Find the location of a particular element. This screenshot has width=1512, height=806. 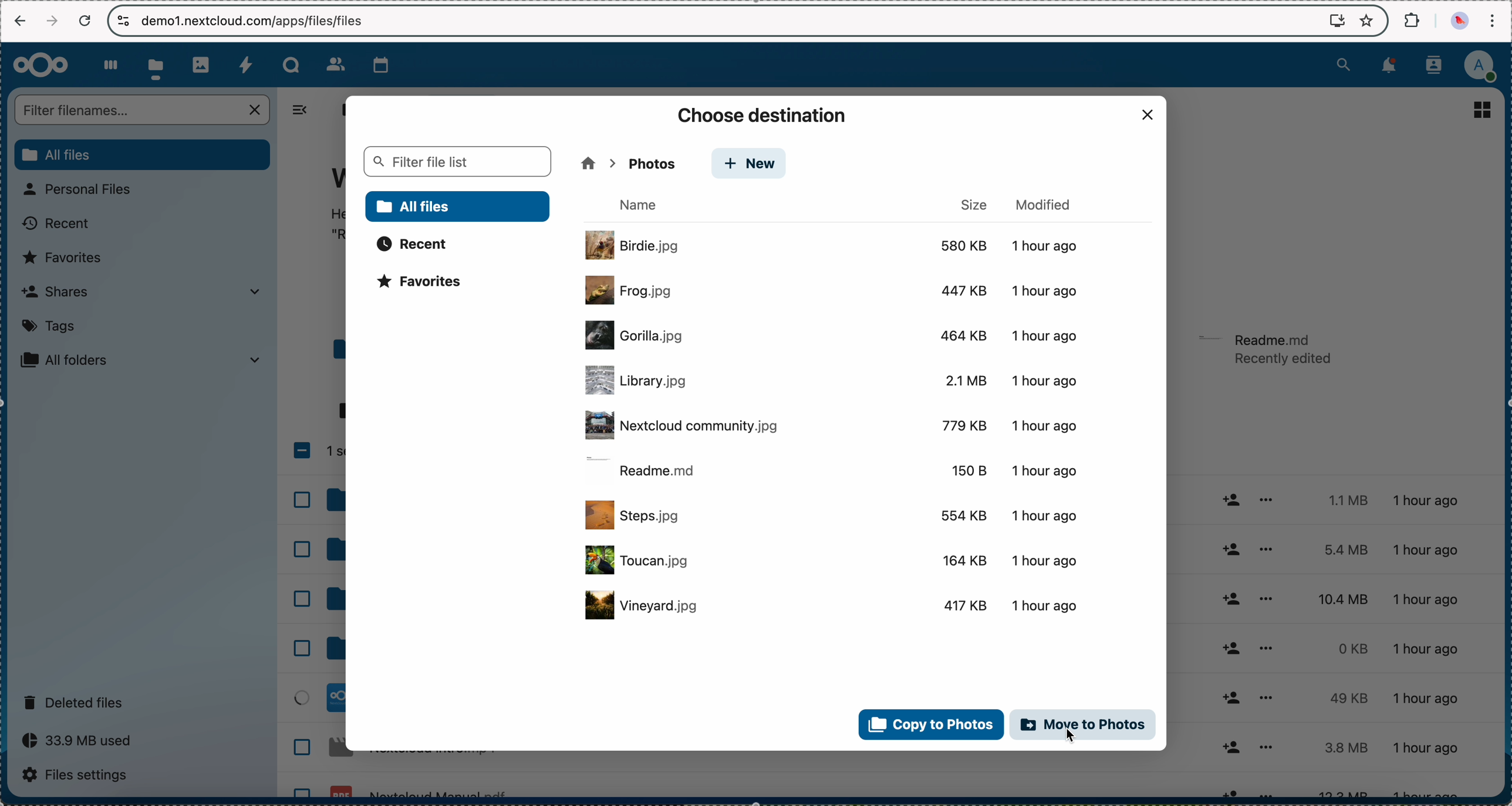

shares is located at coordinates (141, 292).